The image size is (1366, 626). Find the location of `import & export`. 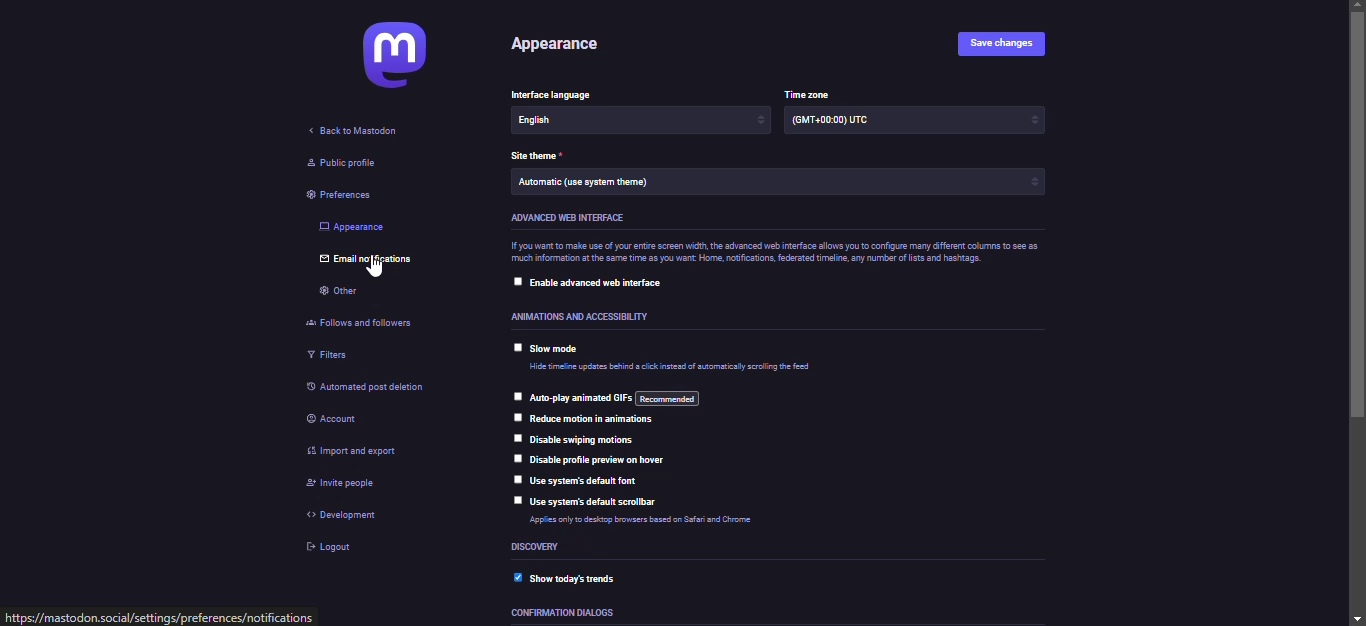

import & export is located at coordinates (352, 448).